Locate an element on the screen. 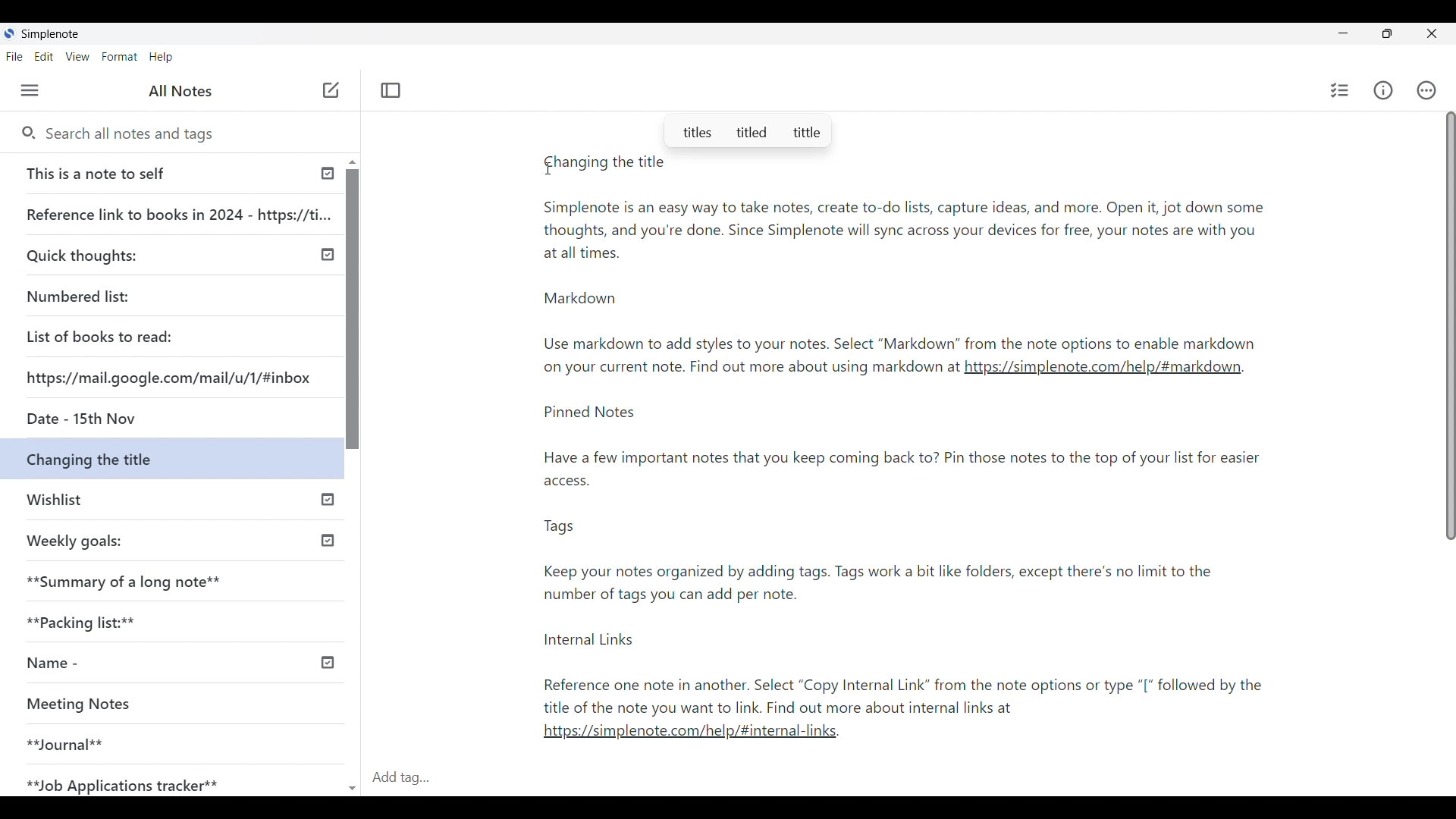 This screenshot has height=819, width=1456. Vertical slide bar for noted made earlier is located at coordinates (328, 256).